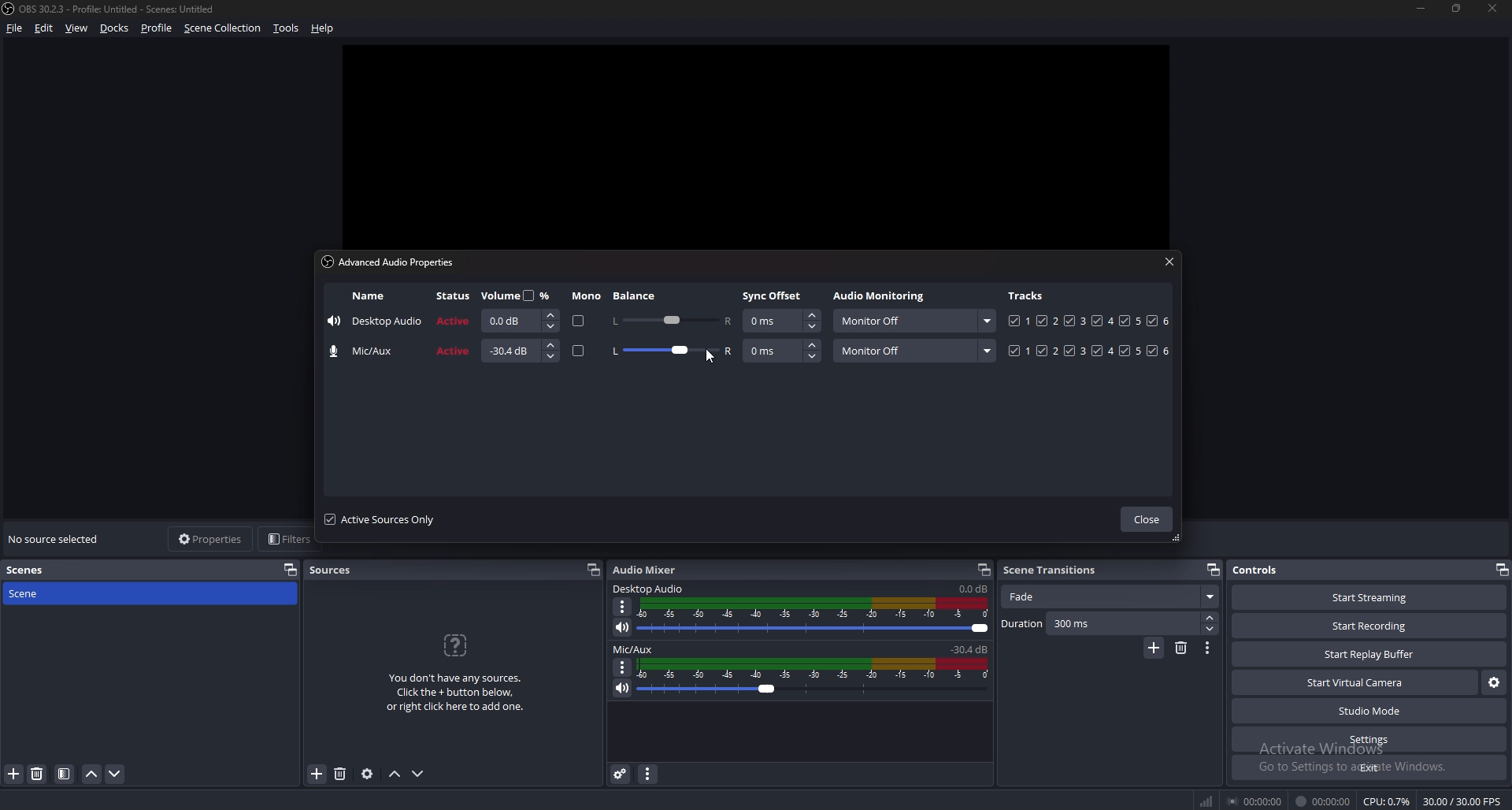 This screenshot has height=810, width=1512. Describe the element at coordinates (671, 321) in the screenshot. I see `balance adjust` at that location.